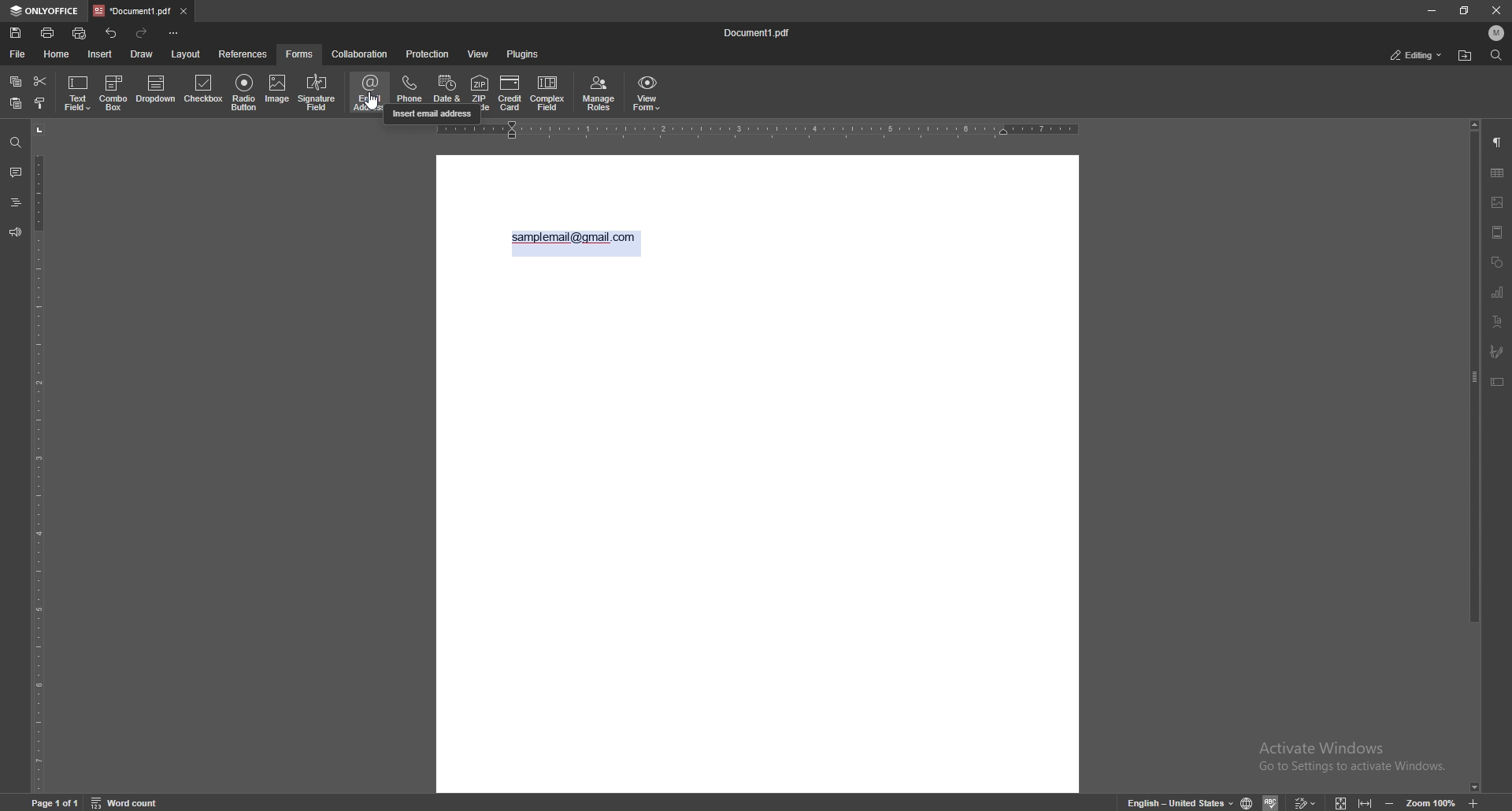 This screenshot has width=1512, height=811. Describe the element at coordinates (116, 93) in the screenshot. I see `combo box` at that location.